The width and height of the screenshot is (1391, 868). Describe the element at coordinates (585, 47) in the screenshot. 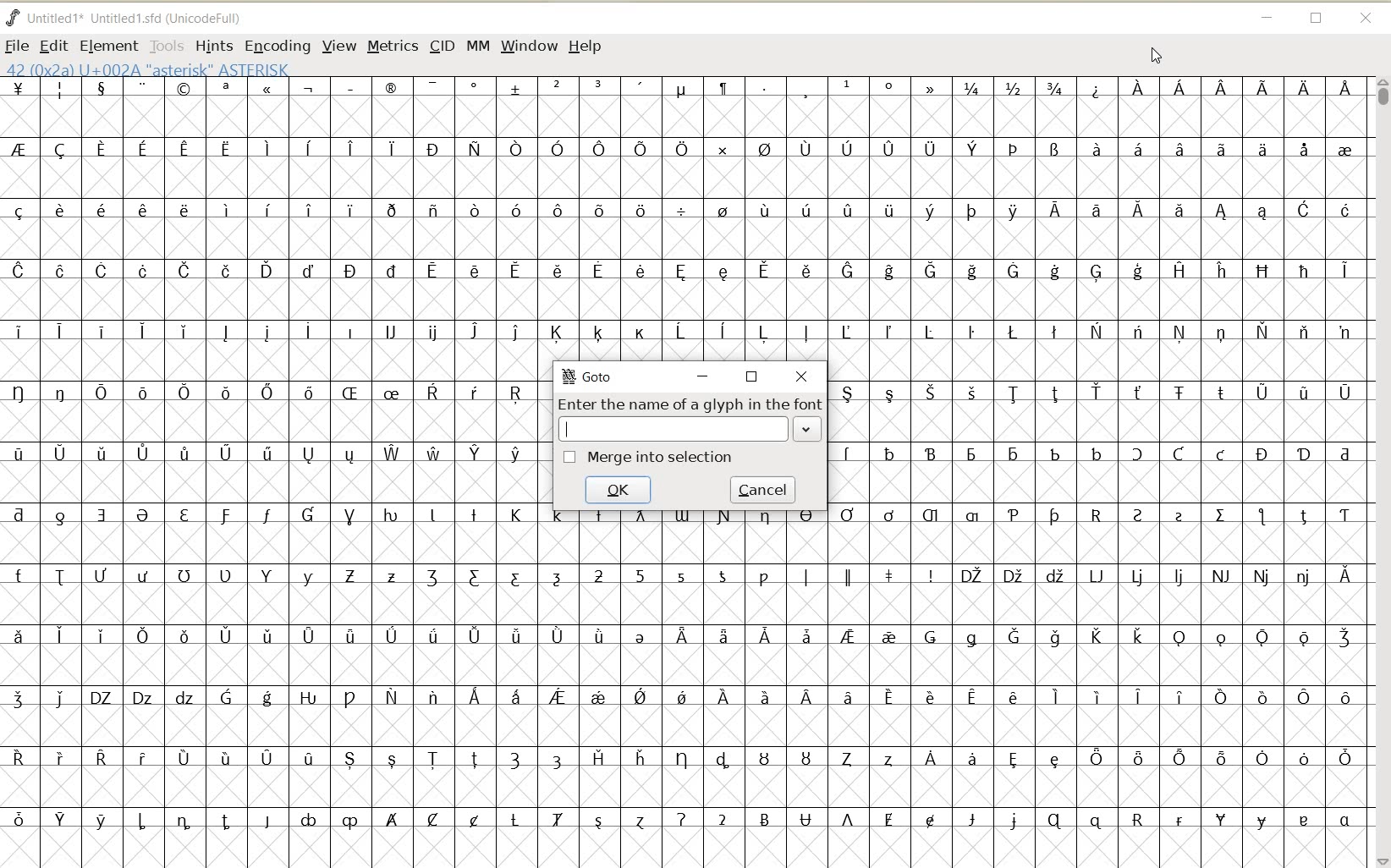

I see `HELP` at that location.